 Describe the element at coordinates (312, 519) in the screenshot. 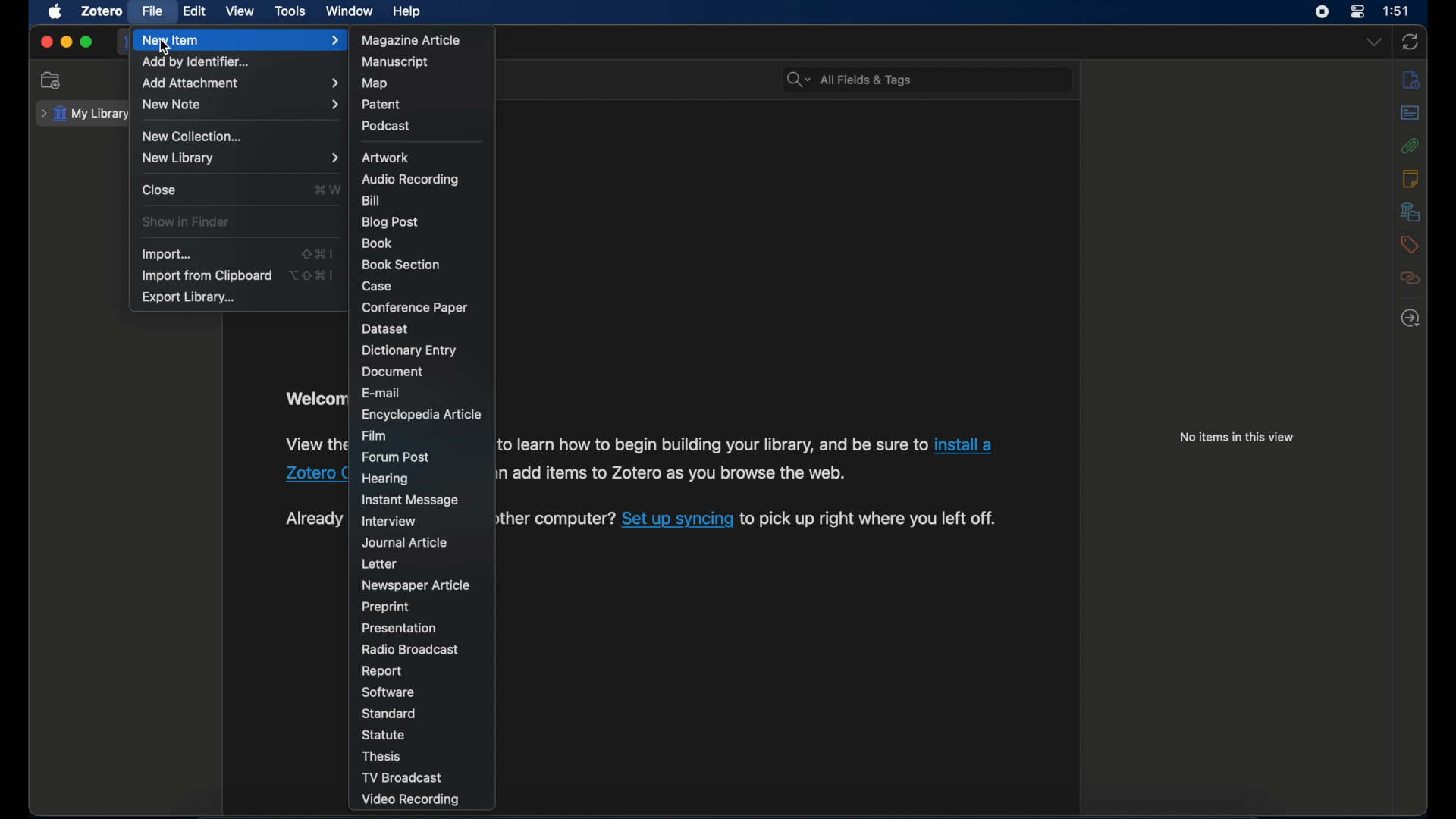

I see `Already` at that location.